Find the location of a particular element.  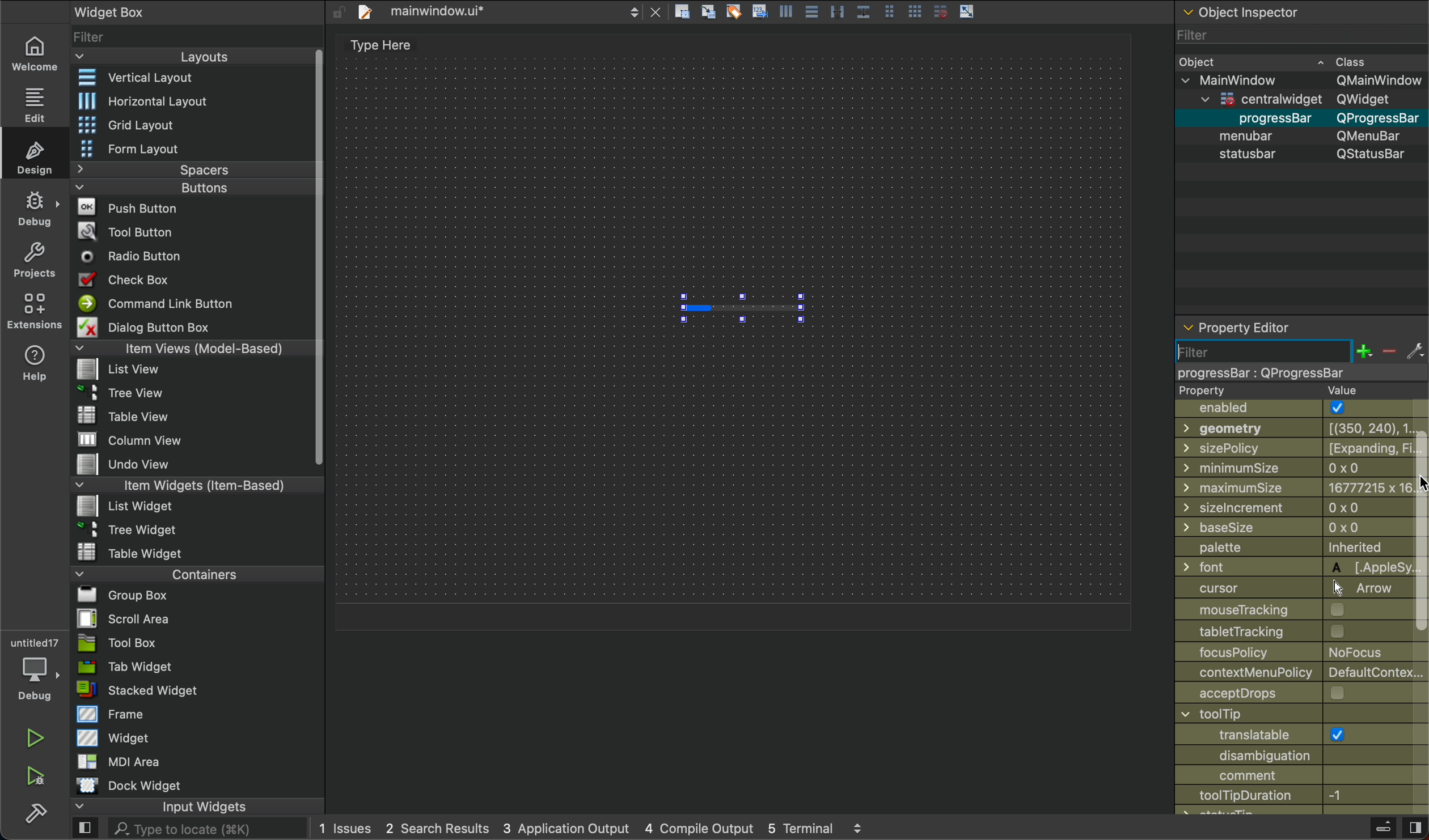

File is located at coordinates (118, 618).